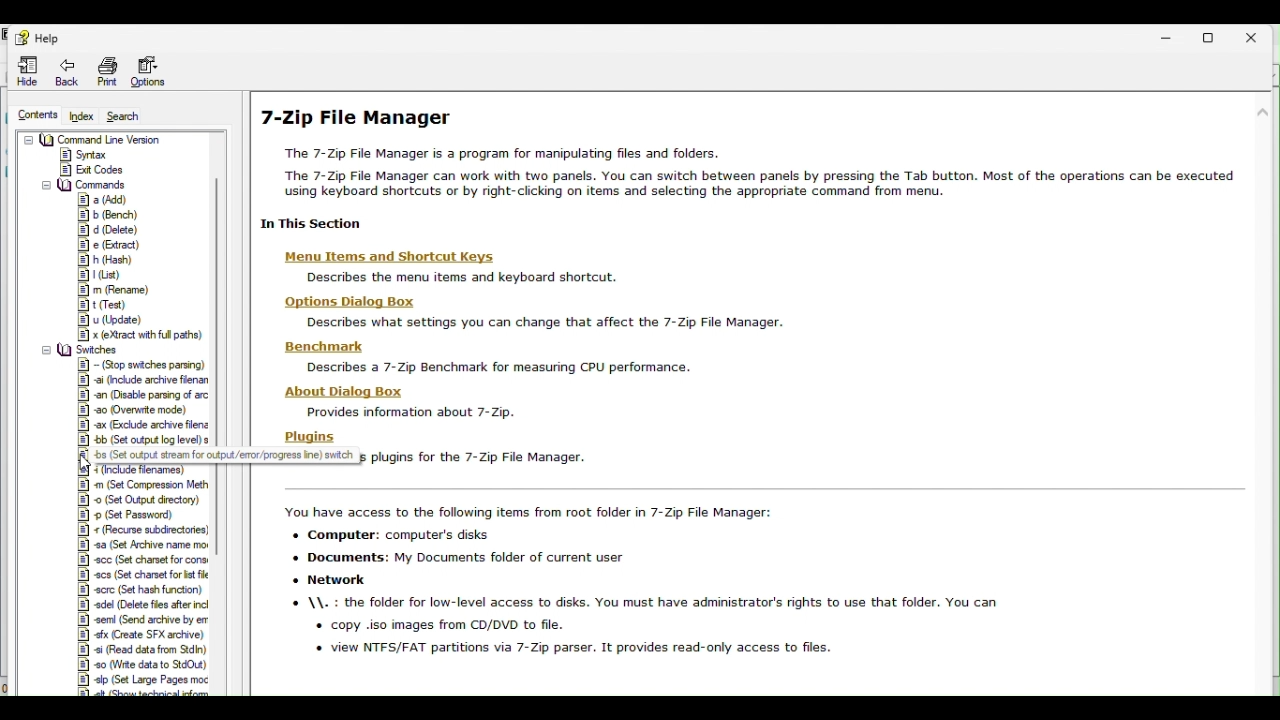 The width and height of the screenshot is (1280, 720). I want to click on Switches, so click(132, 583).